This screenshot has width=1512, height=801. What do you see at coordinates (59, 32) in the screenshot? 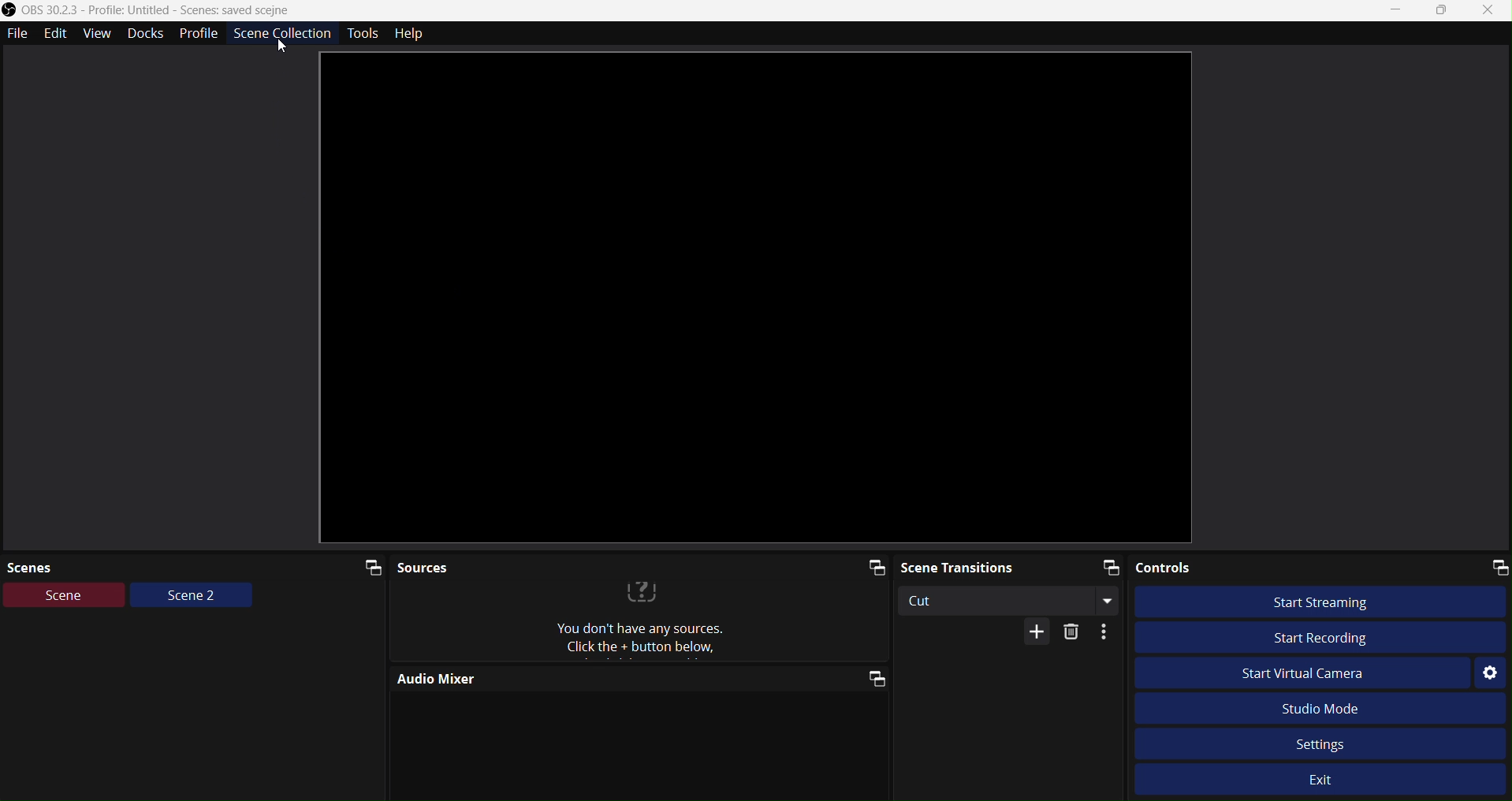
I see `Edit` at bounding box center [59, 32].